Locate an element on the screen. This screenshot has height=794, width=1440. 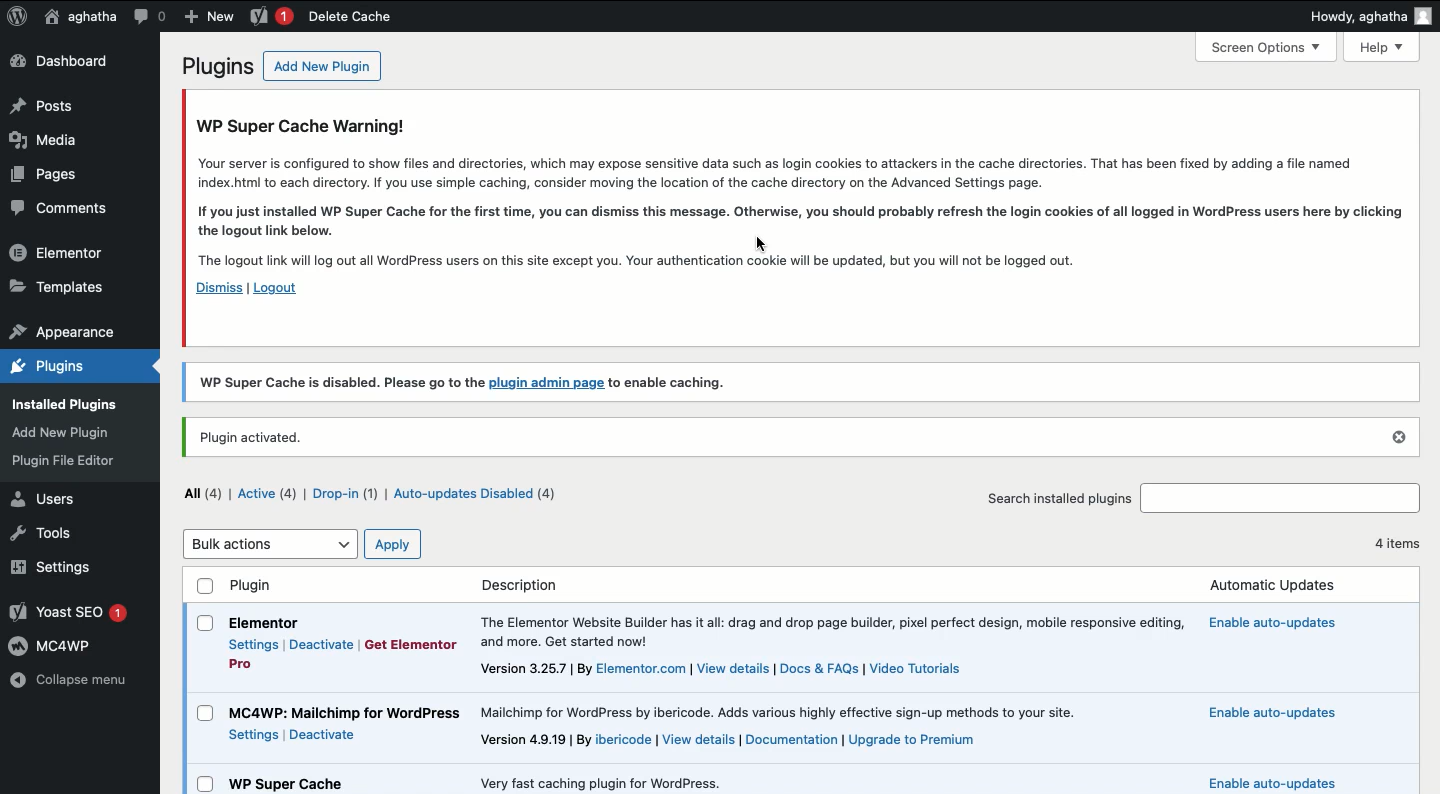
Media is located at coordinates (45, 137).